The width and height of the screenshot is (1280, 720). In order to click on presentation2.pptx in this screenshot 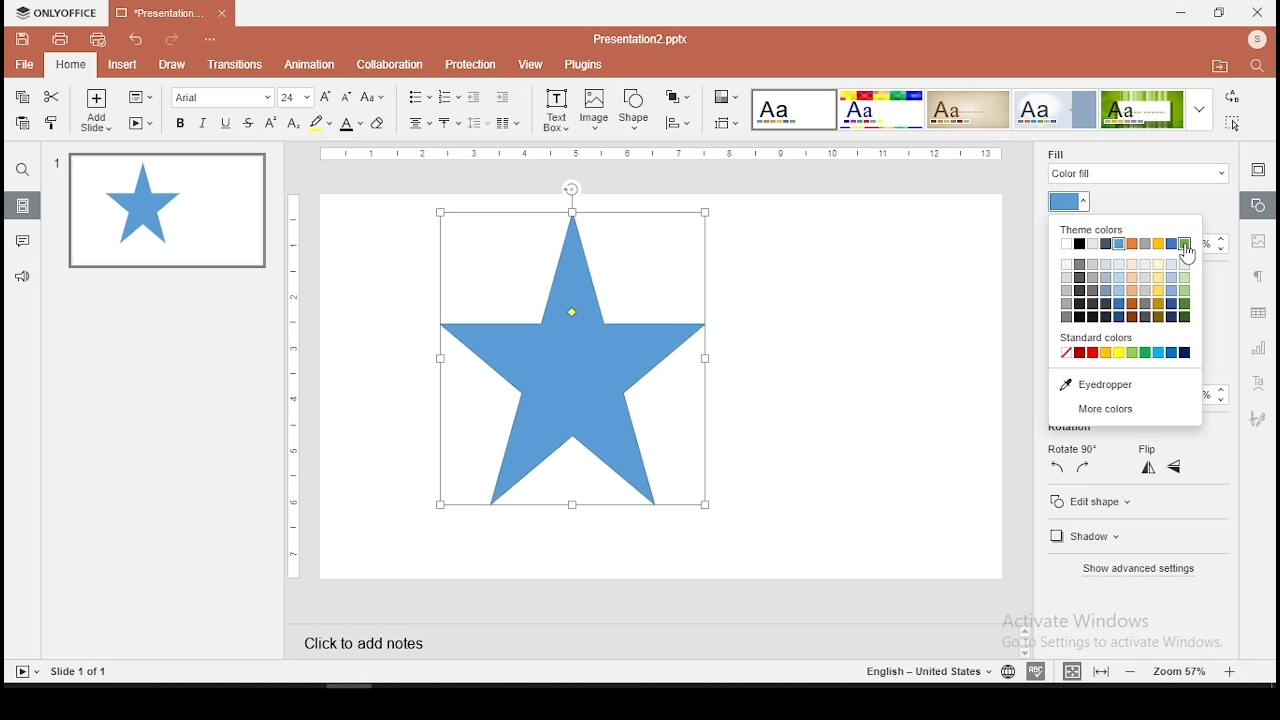, I will do `click(637, 40)`.